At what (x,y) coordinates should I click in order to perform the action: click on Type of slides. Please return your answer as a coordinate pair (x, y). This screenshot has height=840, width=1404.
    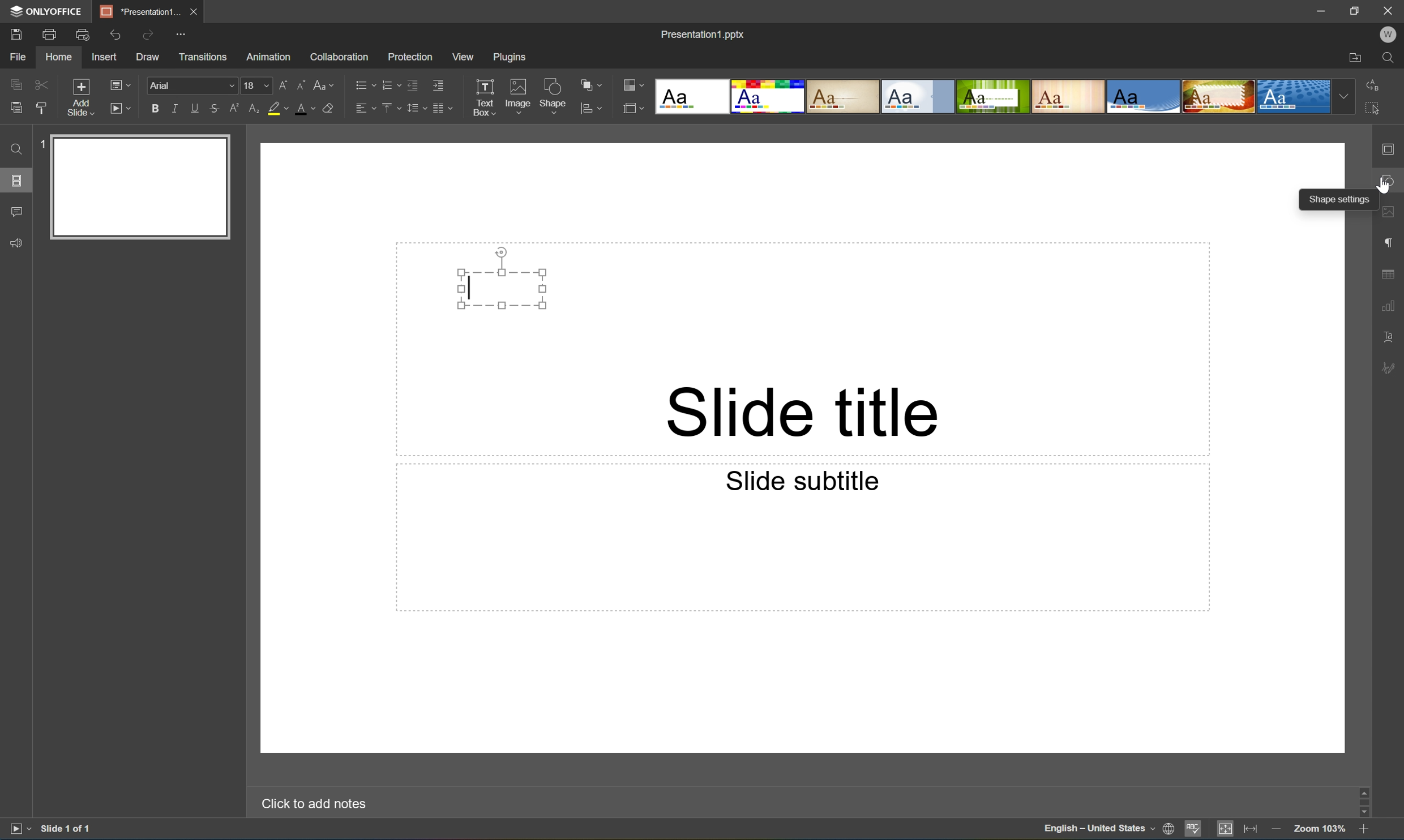
    Looking at the image, I should click on (992, 97).